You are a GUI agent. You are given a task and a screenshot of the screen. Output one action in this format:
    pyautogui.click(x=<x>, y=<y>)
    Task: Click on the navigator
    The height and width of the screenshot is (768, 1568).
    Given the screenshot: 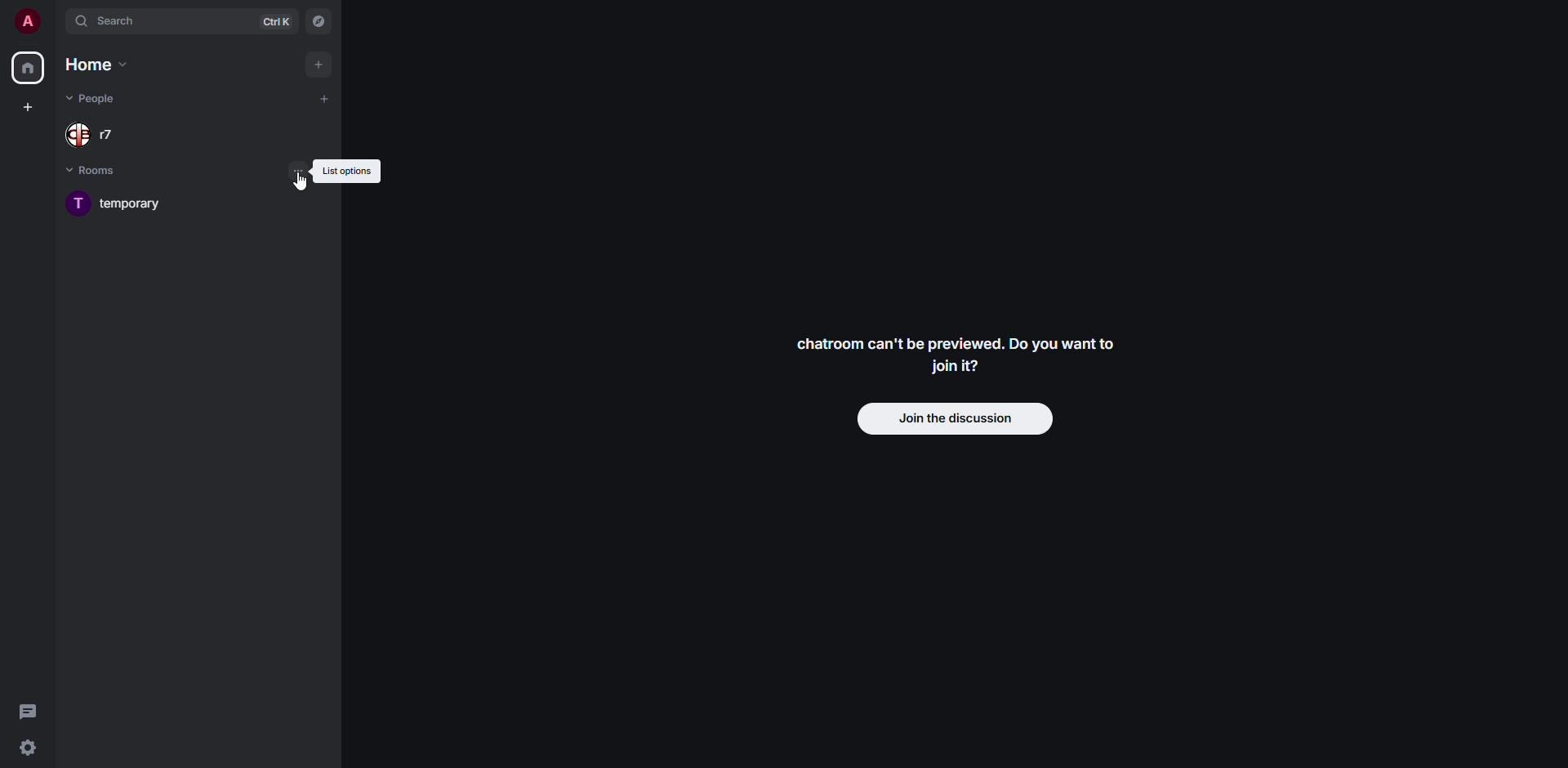 What is the action you would take?
    pyautogui.click(x=317, y=23)
    